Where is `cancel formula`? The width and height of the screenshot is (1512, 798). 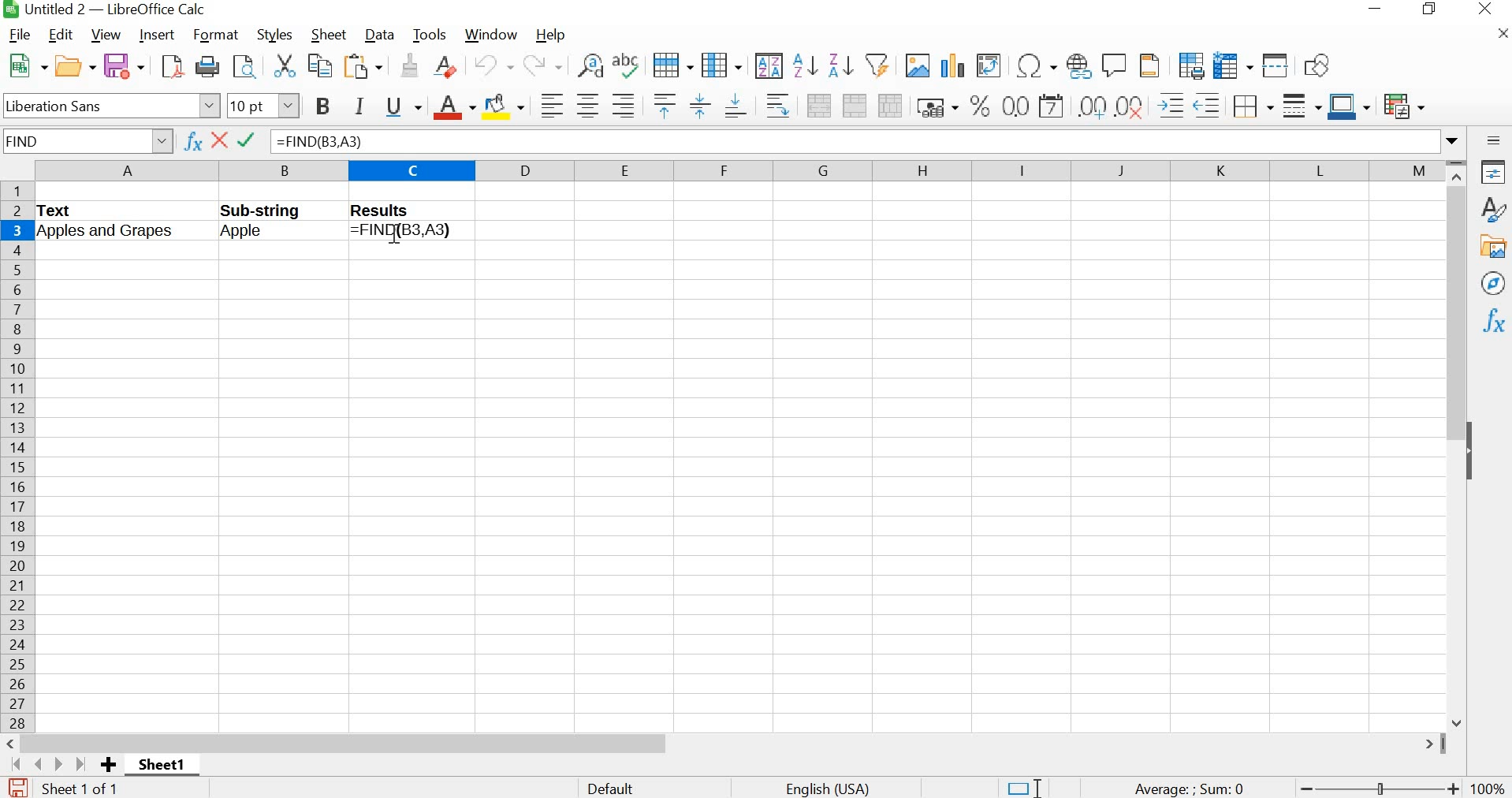 cancel formula is located at coordinates (220, 142).